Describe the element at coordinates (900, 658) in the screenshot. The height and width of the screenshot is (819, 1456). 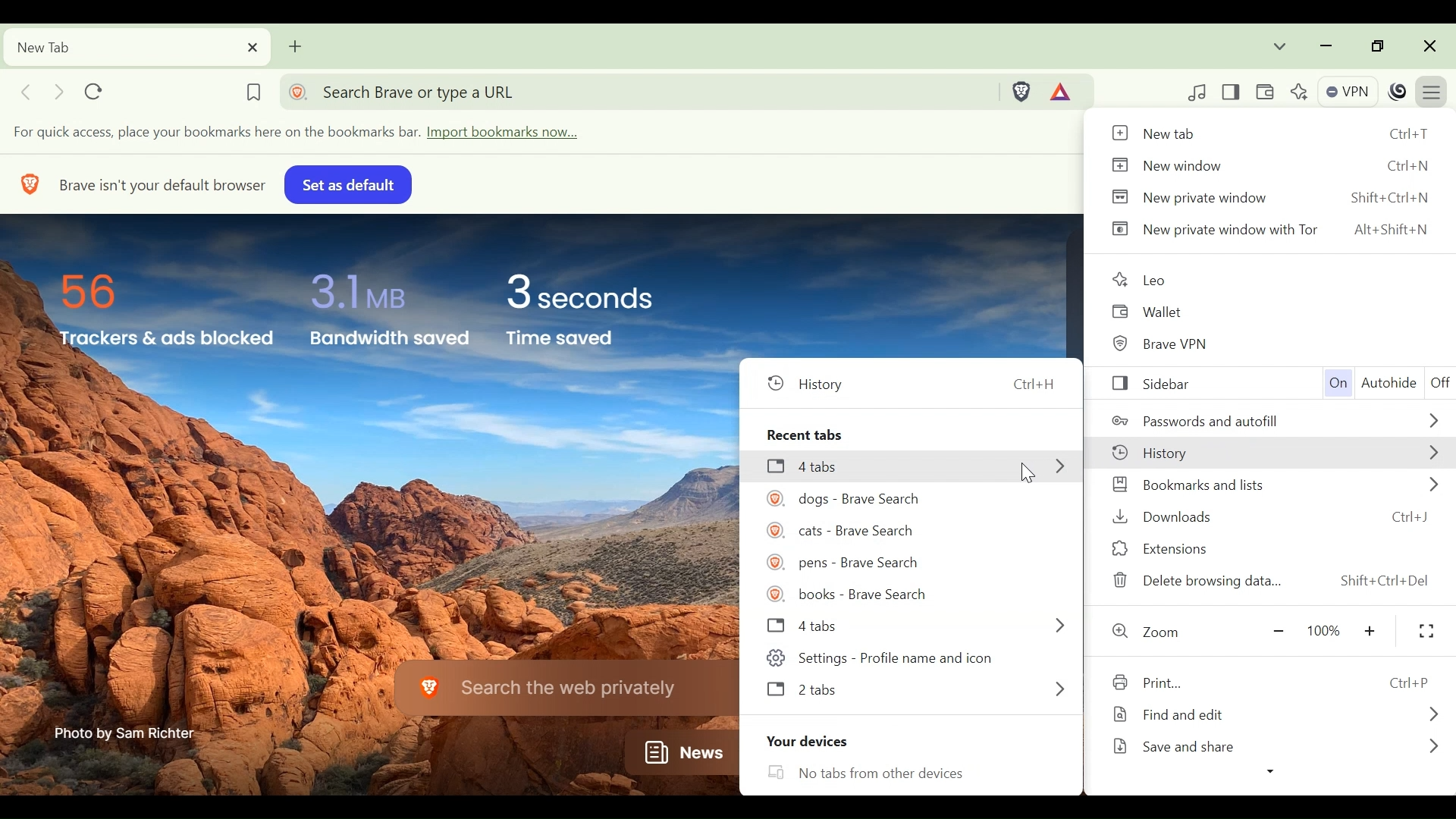
I see `¢8p Settings - Profile name aND ICON` at that location.